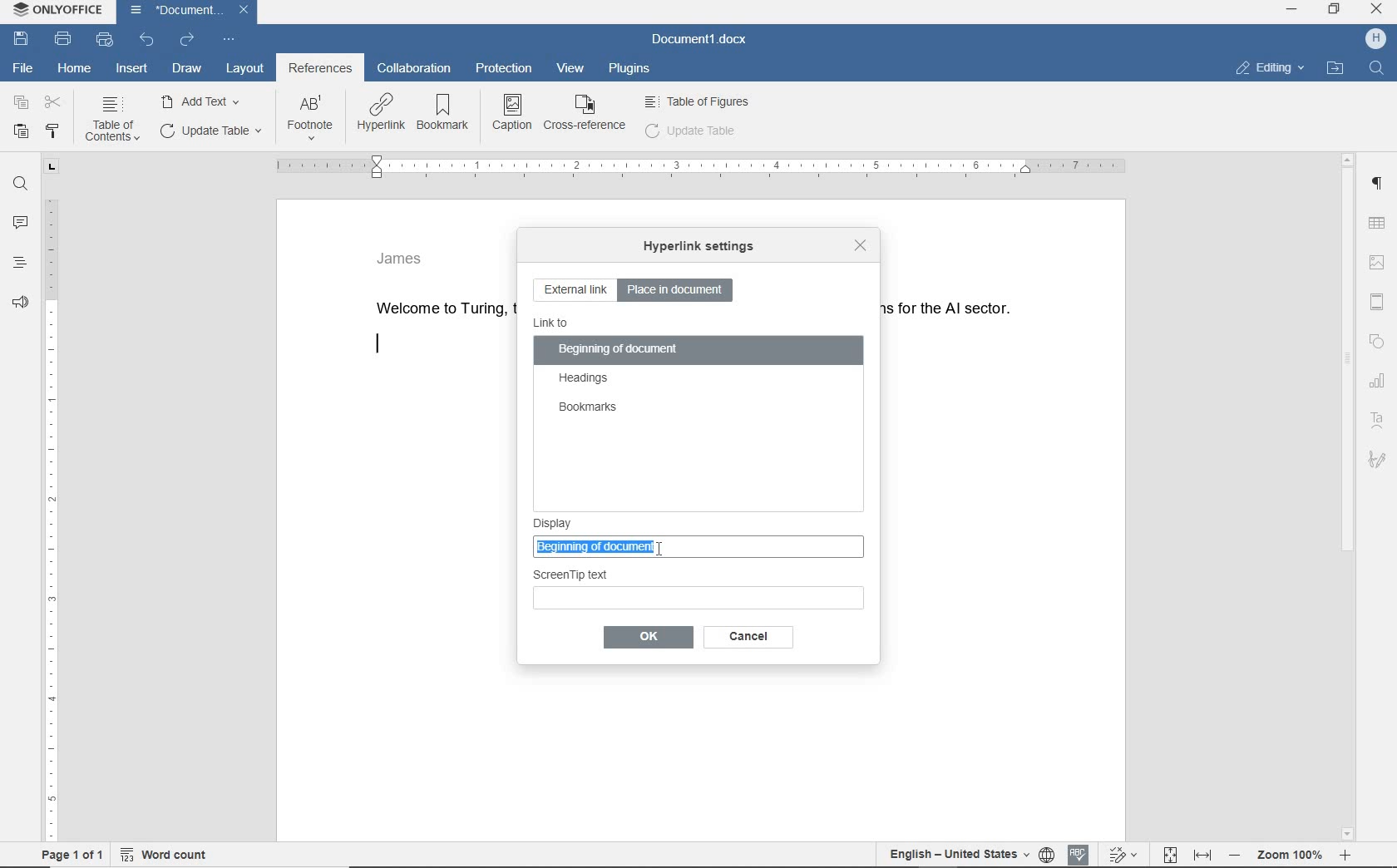  What do you see at coordinates (204, 101) in the screenshot?
I see `ADD TEXT` at bounding box center [204, 101].